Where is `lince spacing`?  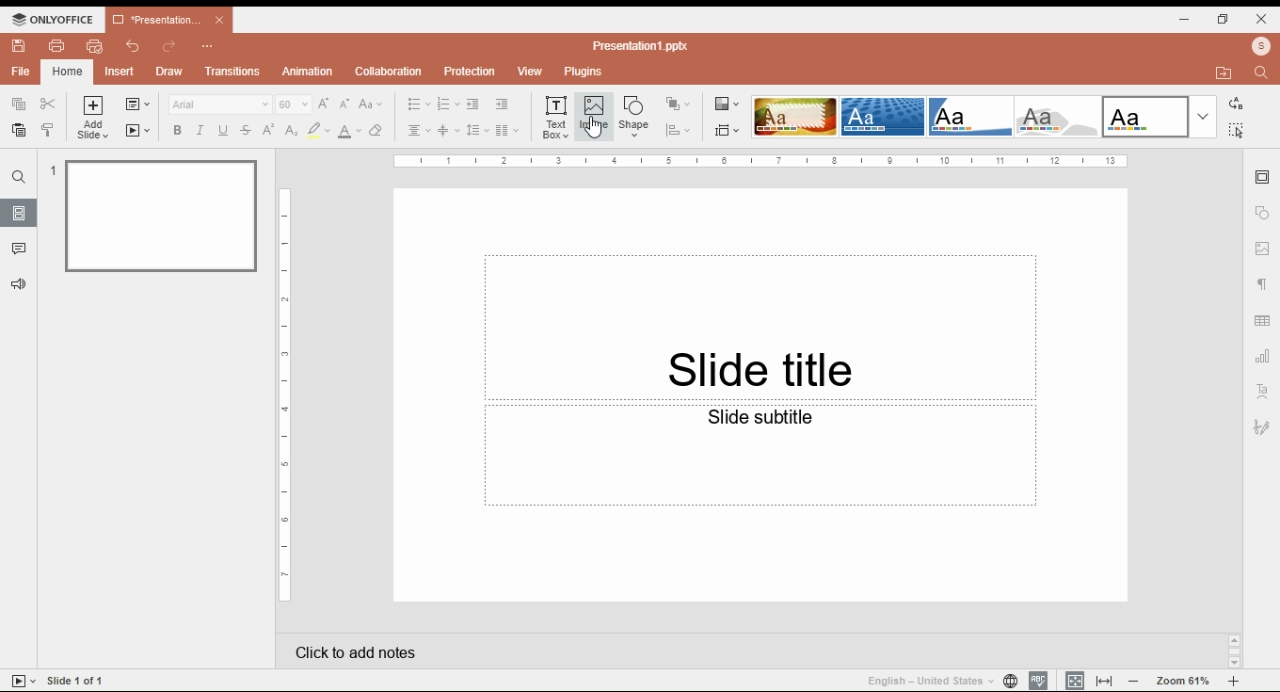 lince spacing is located at coordinates (477, 130).